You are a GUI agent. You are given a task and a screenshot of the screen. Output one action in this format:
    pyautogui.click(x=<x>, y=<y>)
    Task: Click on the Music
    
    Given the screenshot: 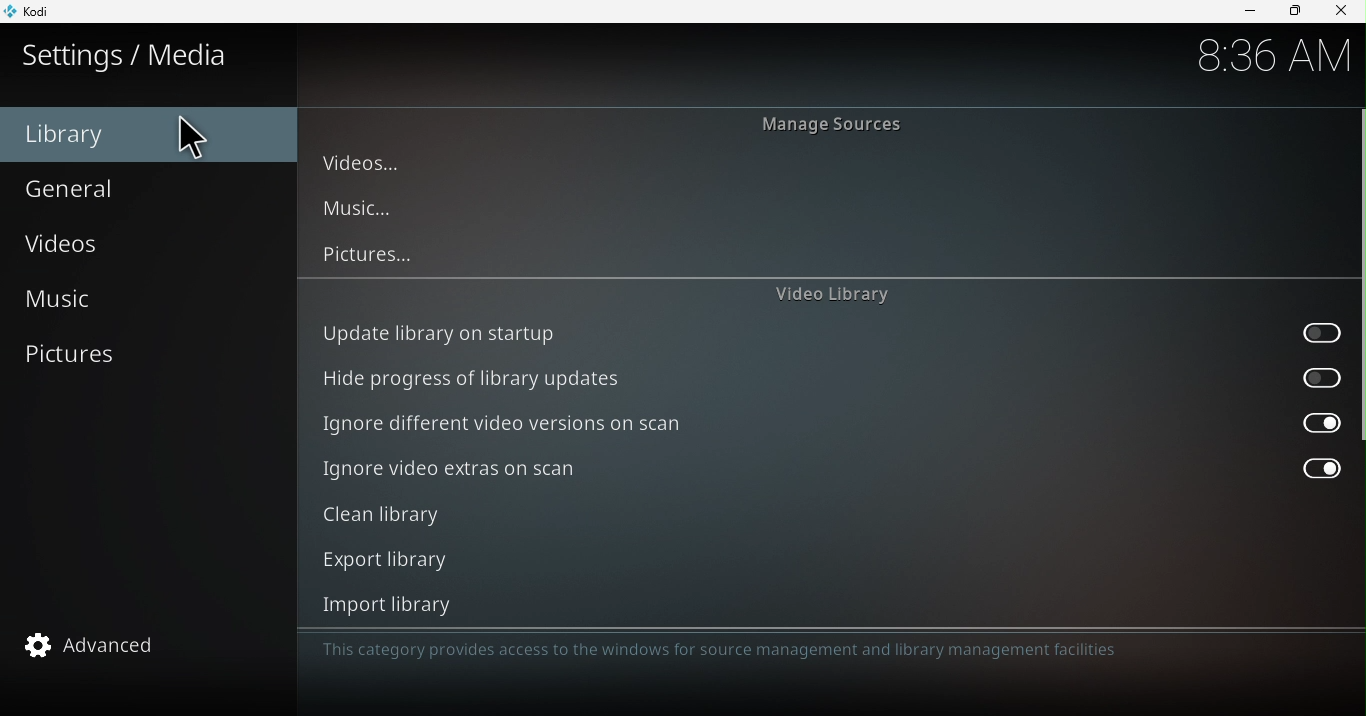 What is the action you would take?
    pyautogui.click(x=367, y=210)
    